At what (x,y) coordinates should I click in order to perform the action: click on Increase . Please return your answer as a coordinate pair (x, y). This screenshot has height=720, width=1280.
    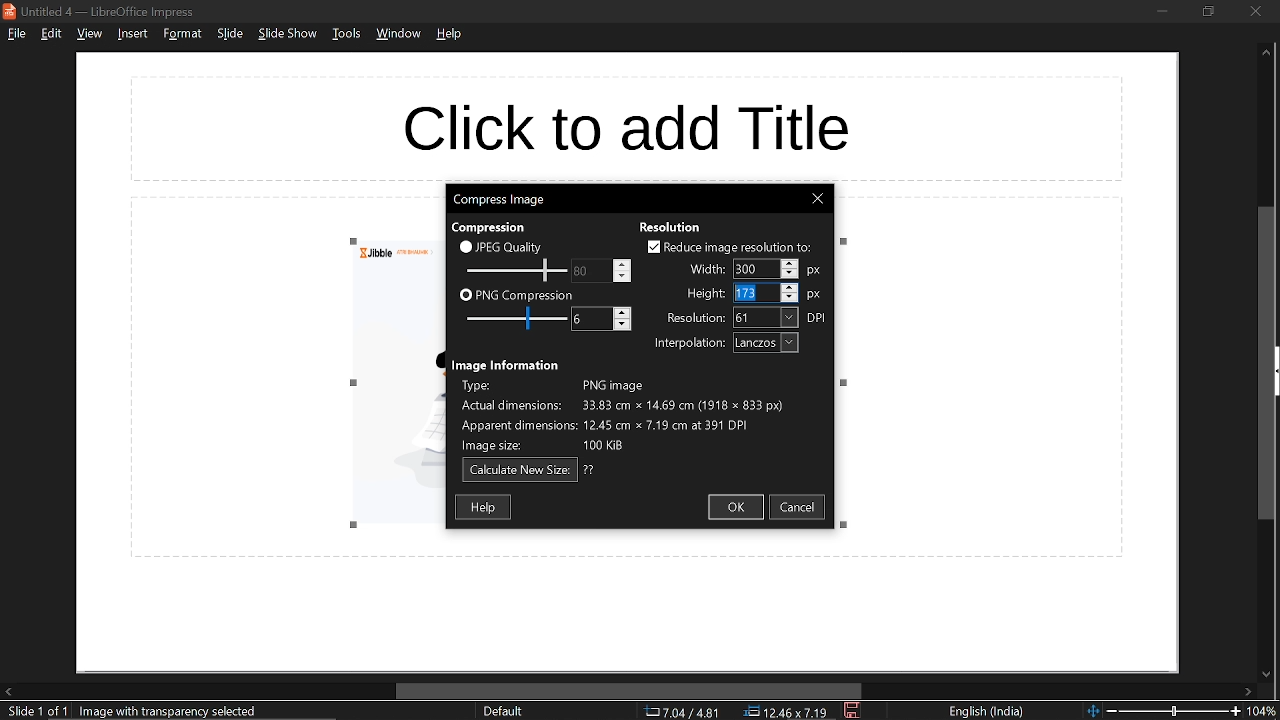
    Looking at the image, I should click on (623, 262).